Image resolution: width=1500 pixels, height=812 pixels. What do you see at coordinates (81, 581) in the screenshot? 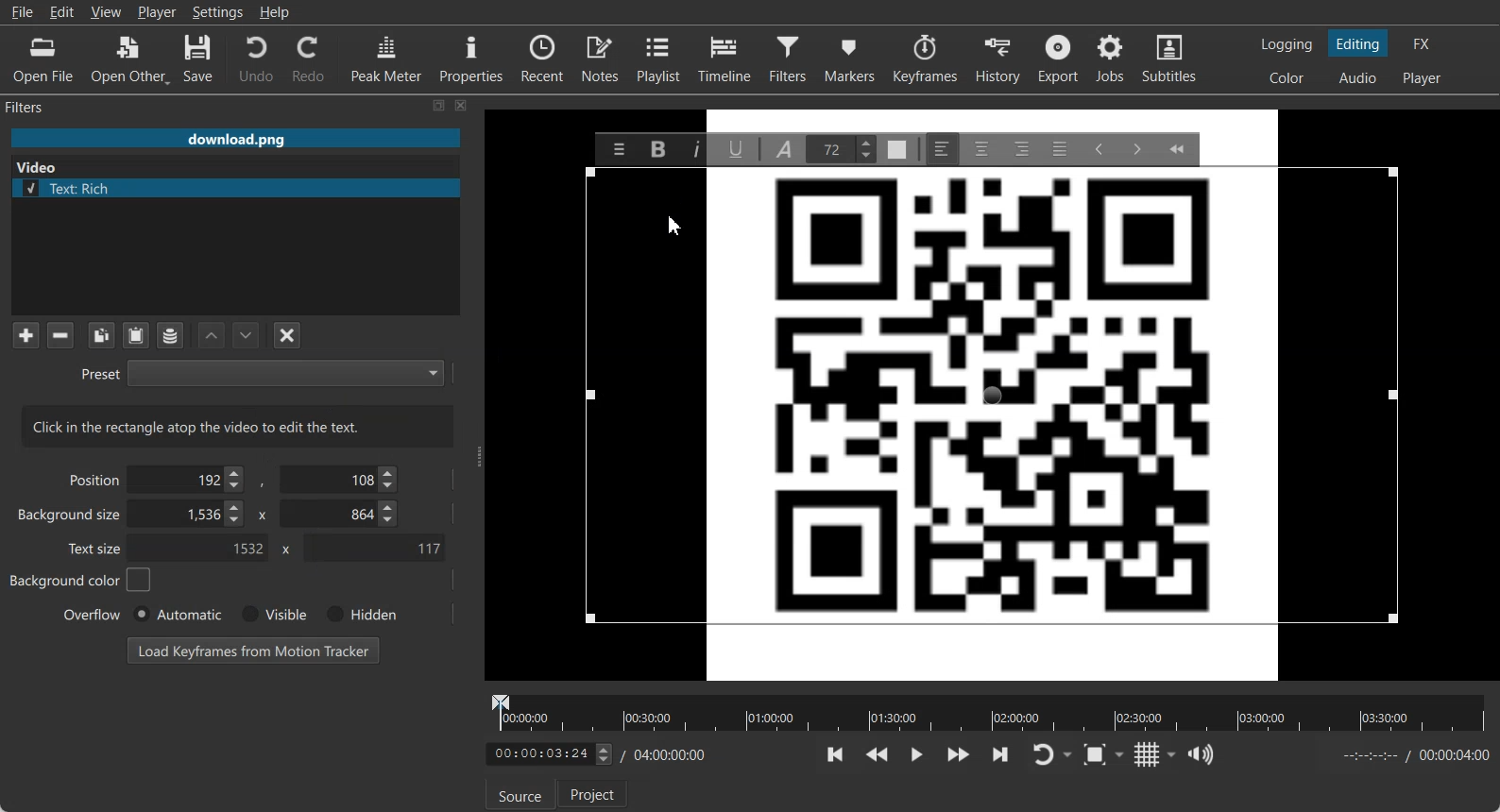
I see `Background color` at bounding box center [81, 581].